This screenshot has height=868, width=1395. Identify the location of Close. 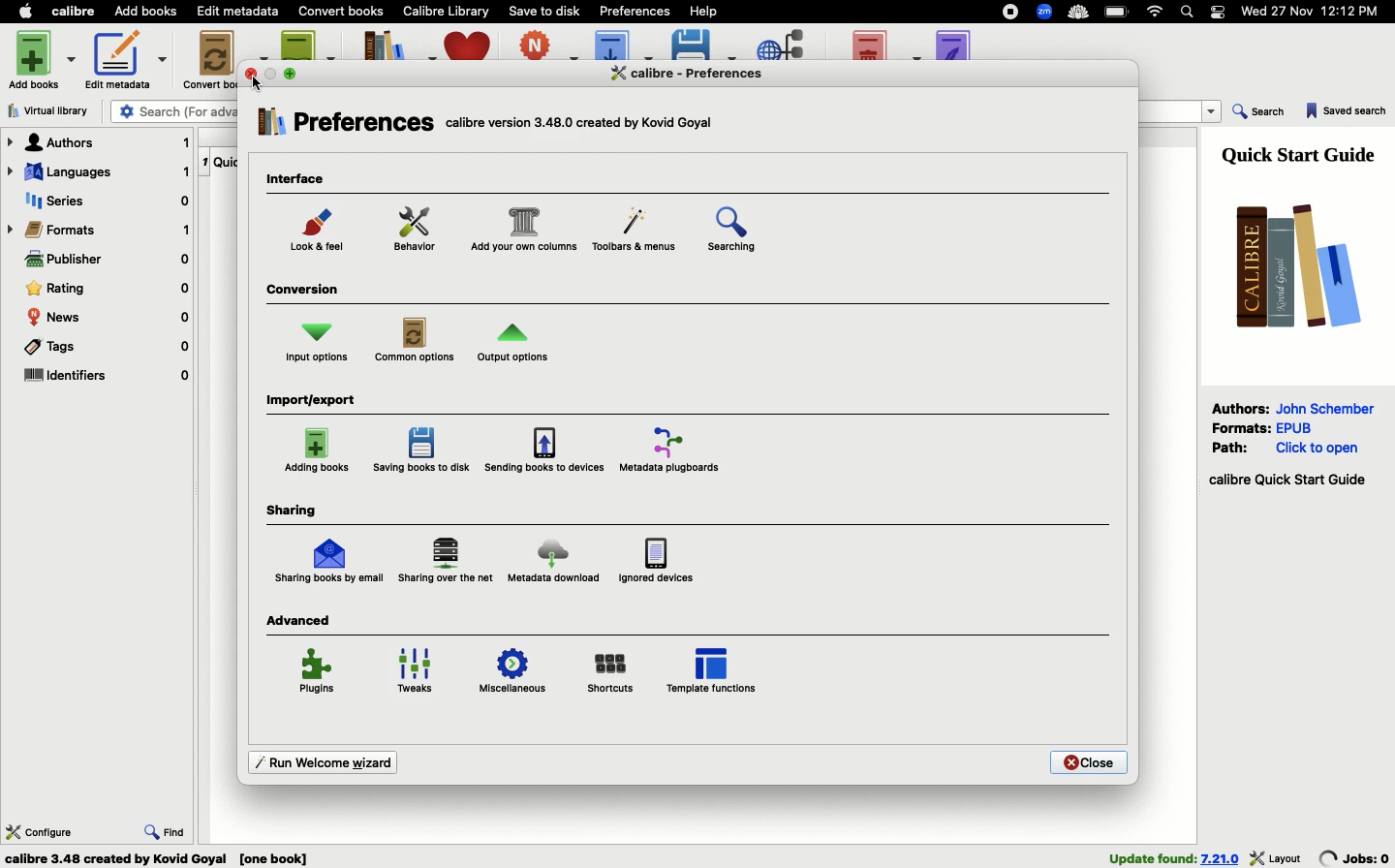
(1088, 762).